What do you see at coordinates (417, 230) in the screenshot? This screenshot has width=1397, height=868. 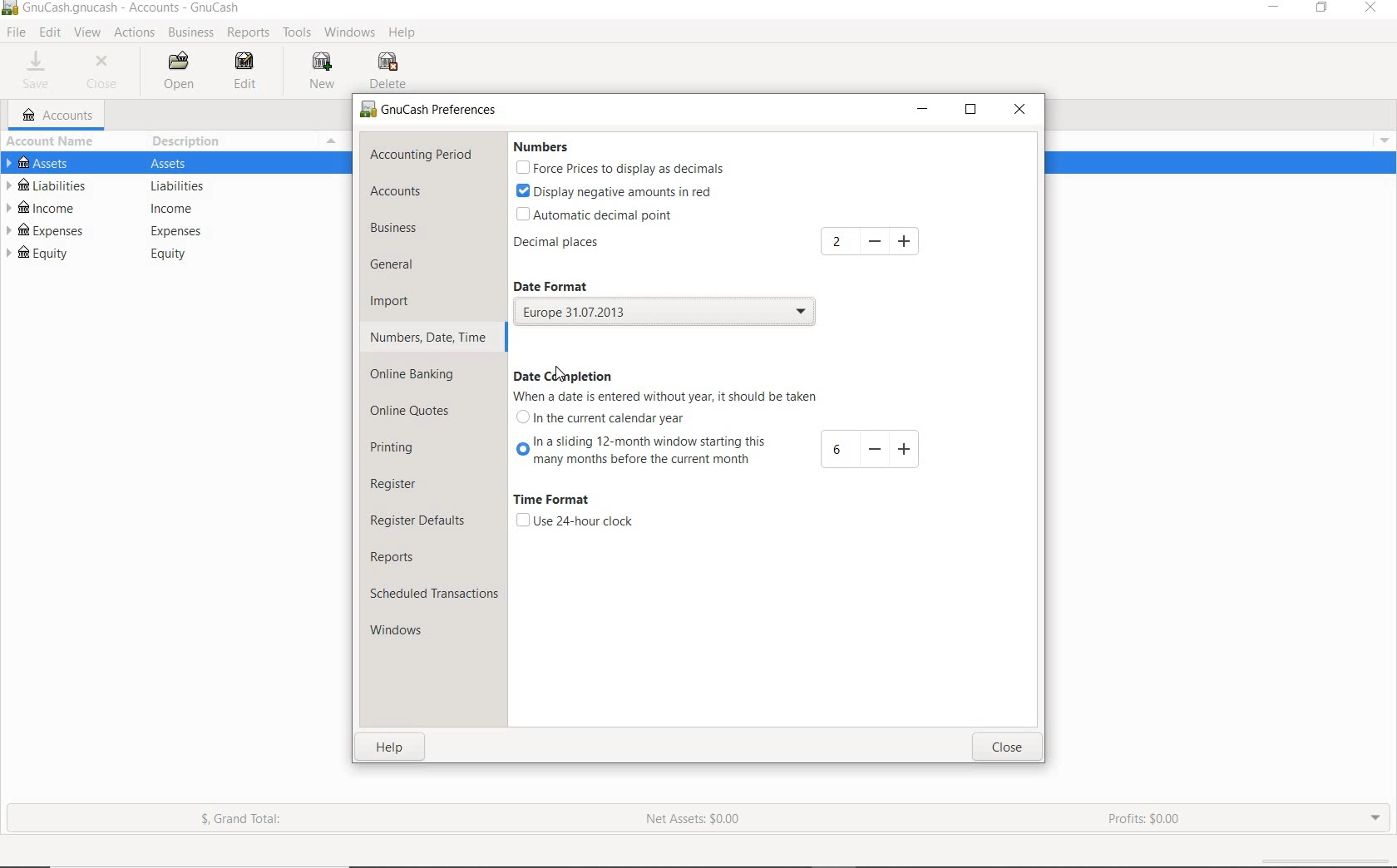 I see `business` at bounding box center [417, 230].